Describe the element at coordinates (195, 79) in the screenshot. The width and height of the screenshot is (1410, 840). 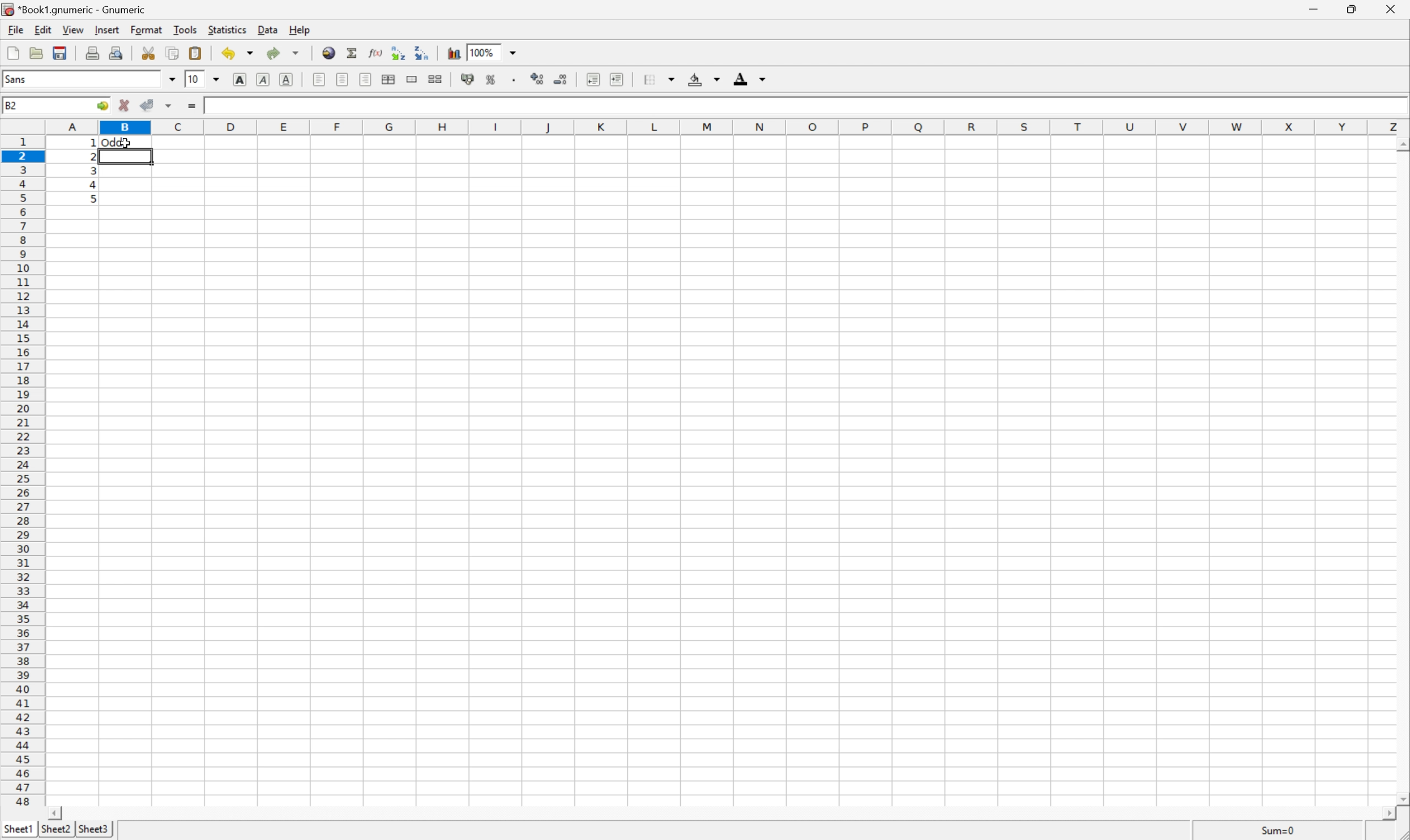
I see `10` at that location.